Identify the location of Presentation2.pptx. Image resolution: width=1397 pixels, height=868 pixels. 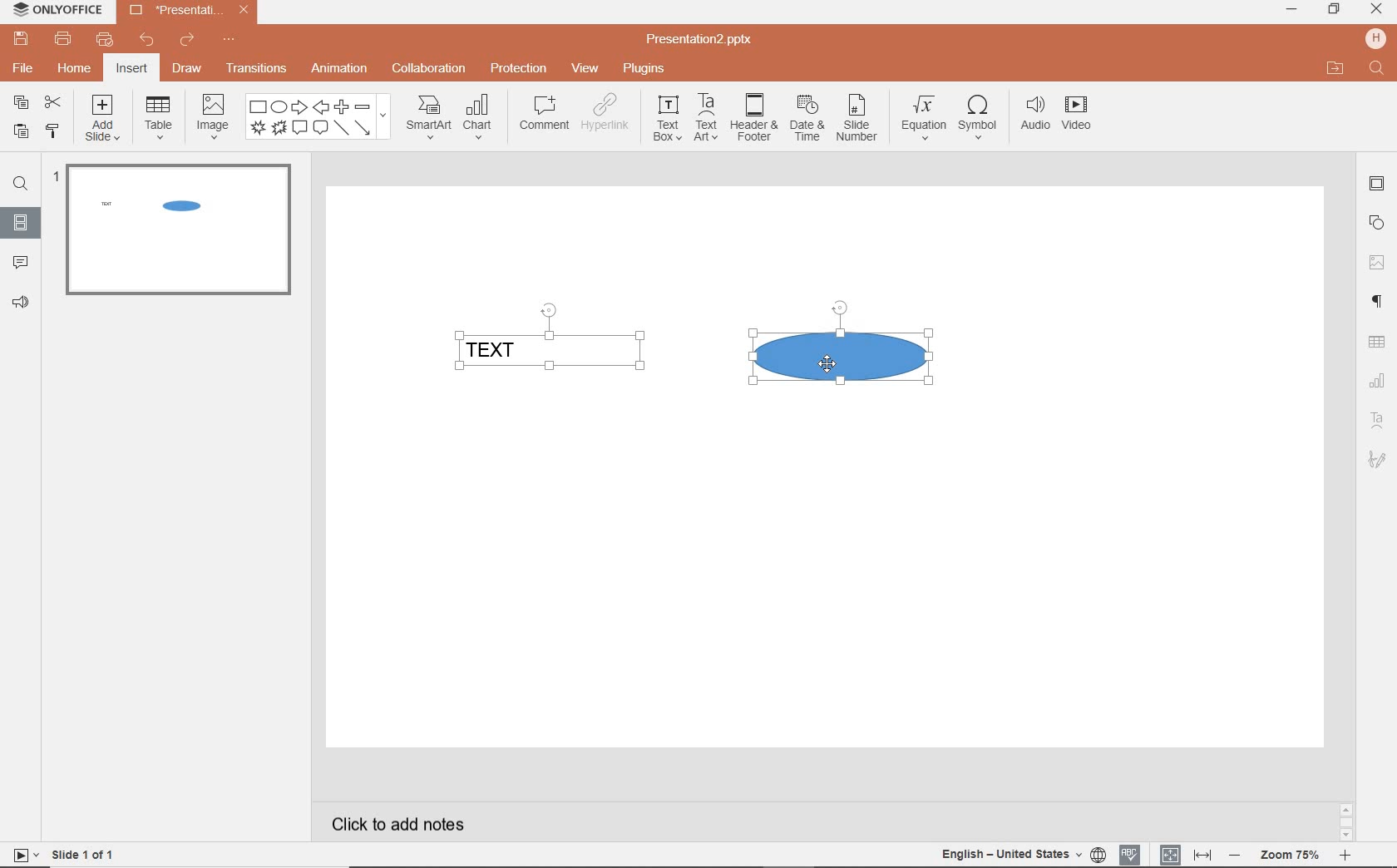
(187, 12).